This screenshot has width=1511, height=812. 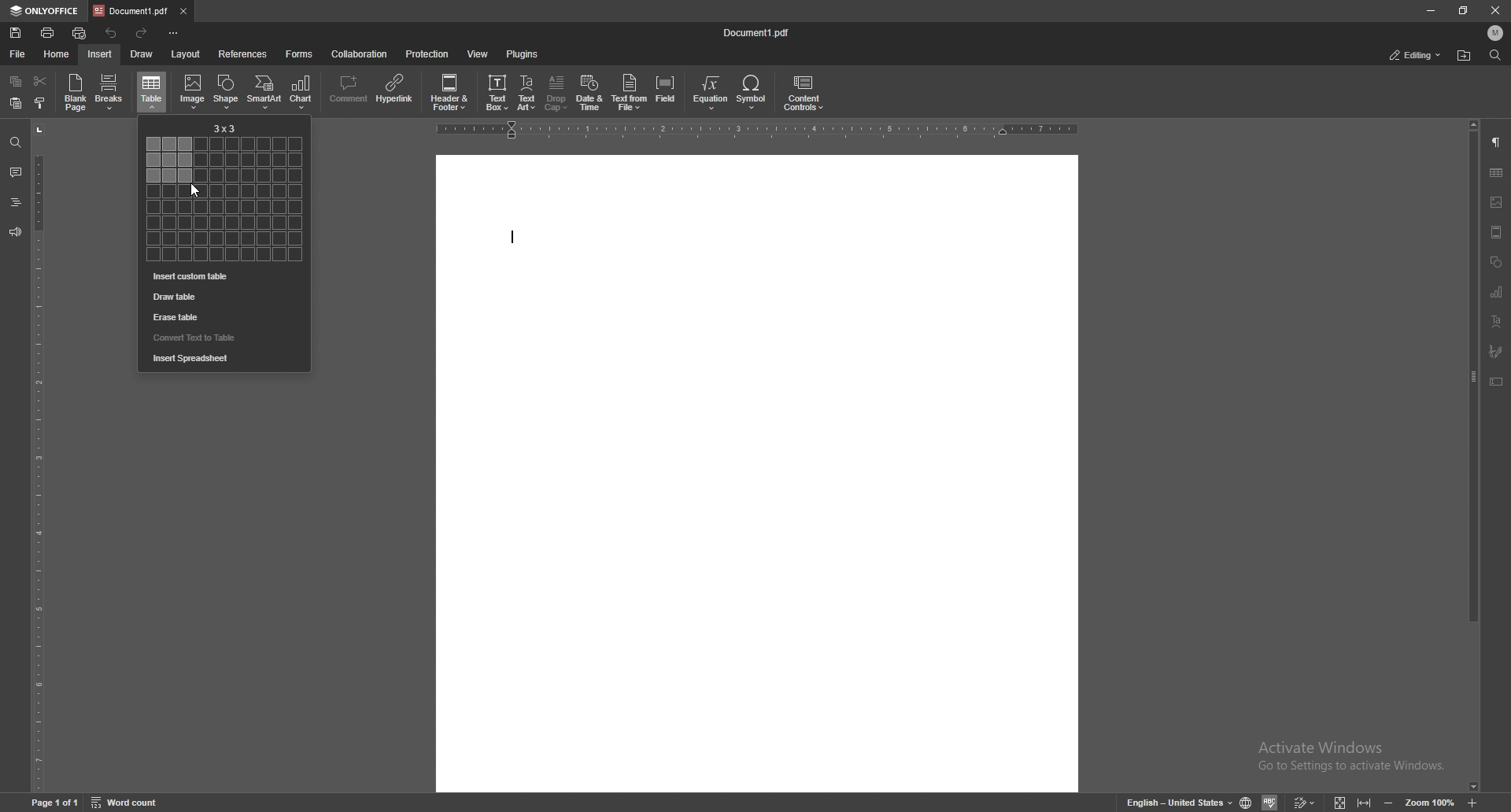 What do you see at coordinates (511, 237) in the screenshot?
I see `text cursor` at bounding box center [511, 237].